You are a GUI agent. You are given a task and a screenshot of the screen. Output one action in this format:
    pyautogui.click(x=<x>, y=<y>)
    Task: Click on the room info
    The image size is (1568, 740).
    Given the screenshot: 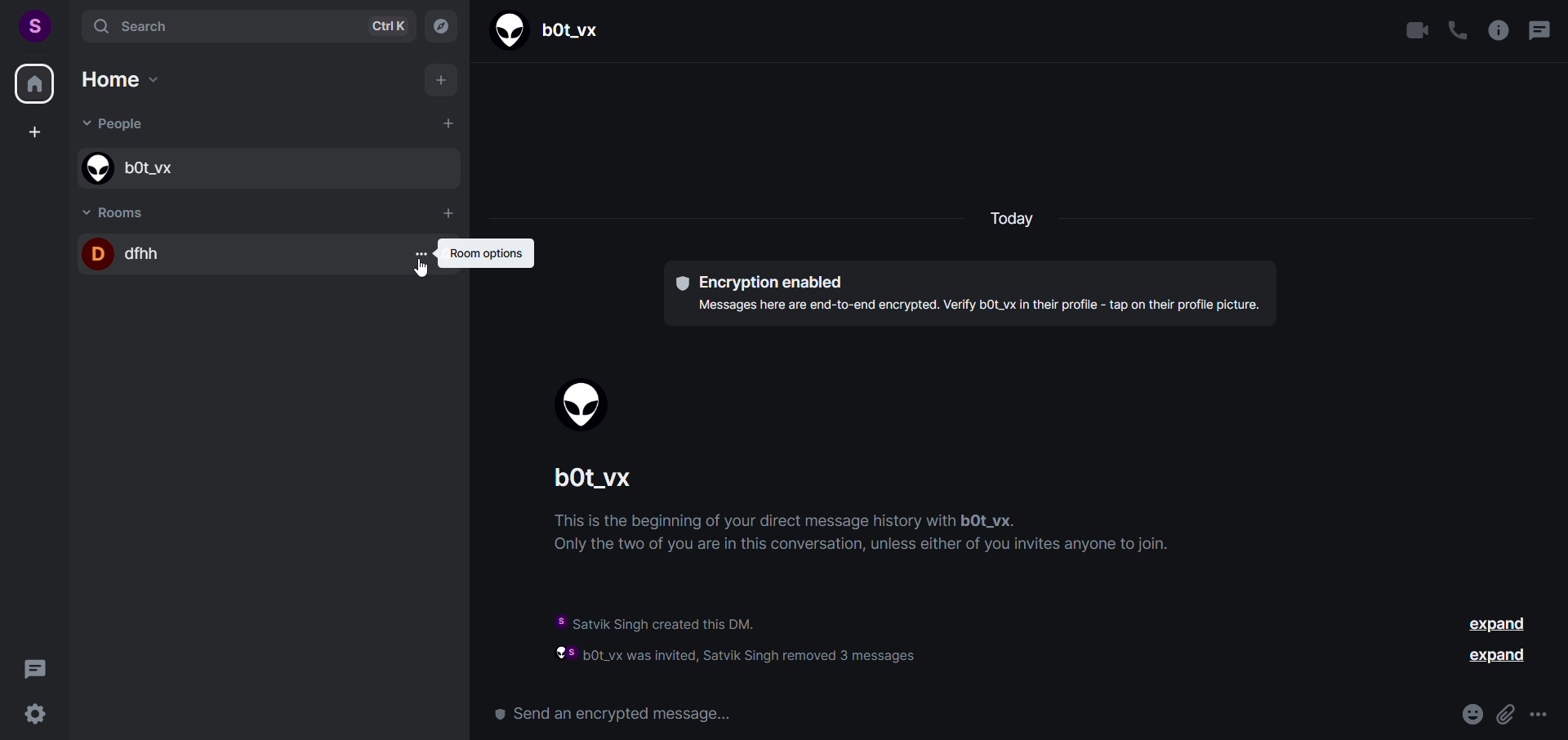 What is the action you would take?
    pyautogui.click(x=1496, y=30)
    